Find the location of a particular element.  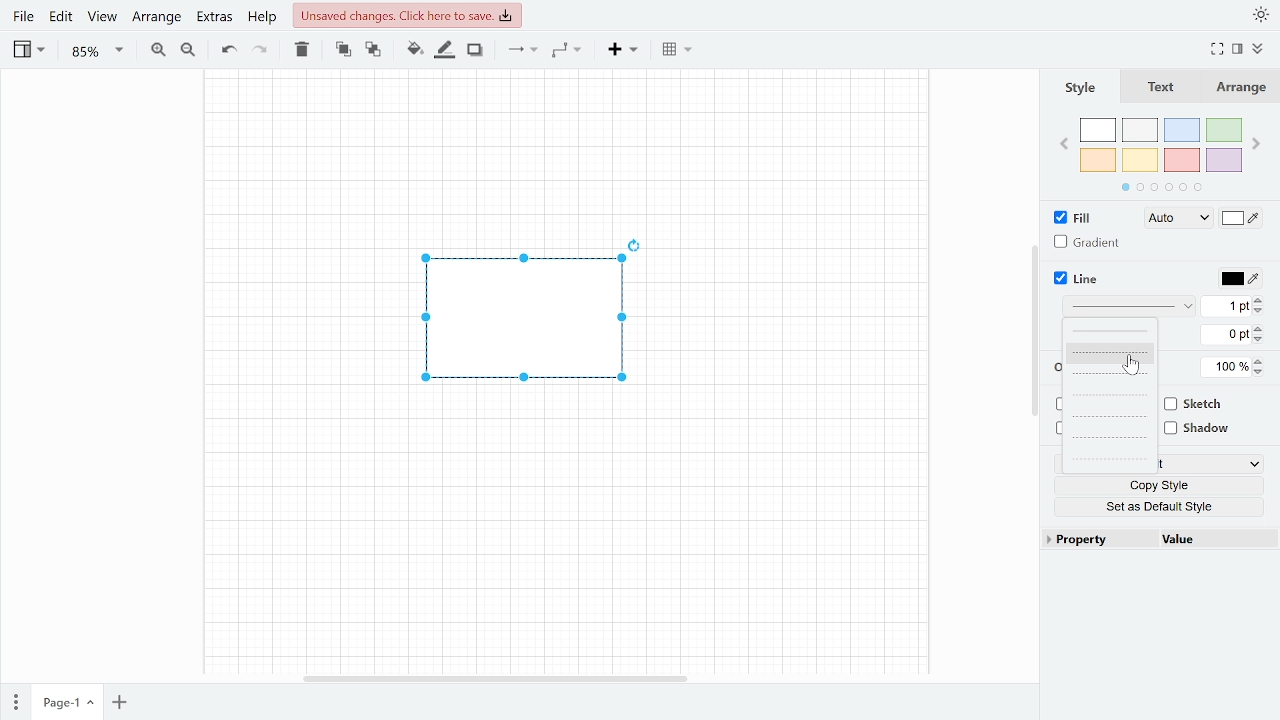

Fill style is located at coordinates (1171, 218).